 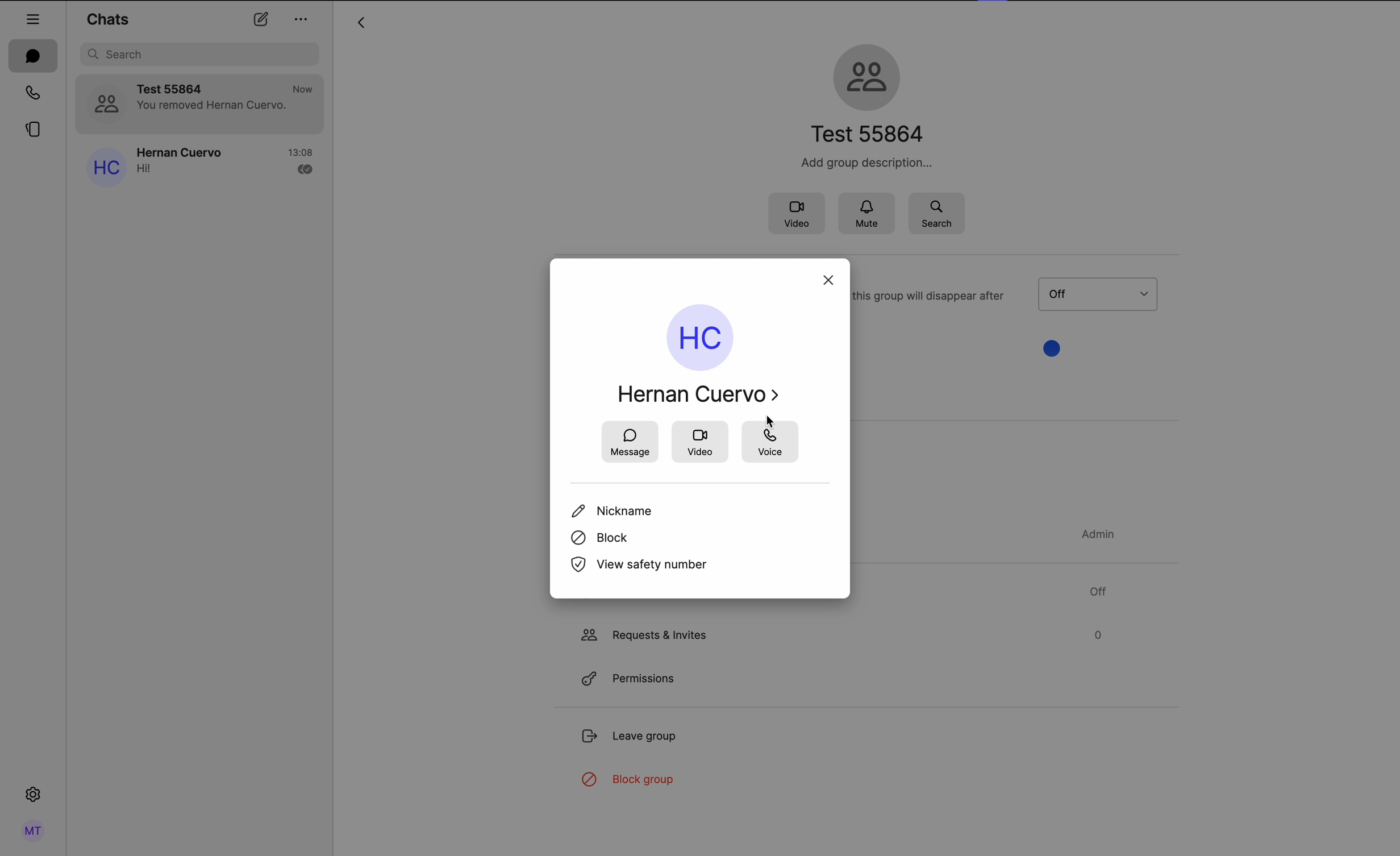 I want to click on chats, so click(x=34, y=56).